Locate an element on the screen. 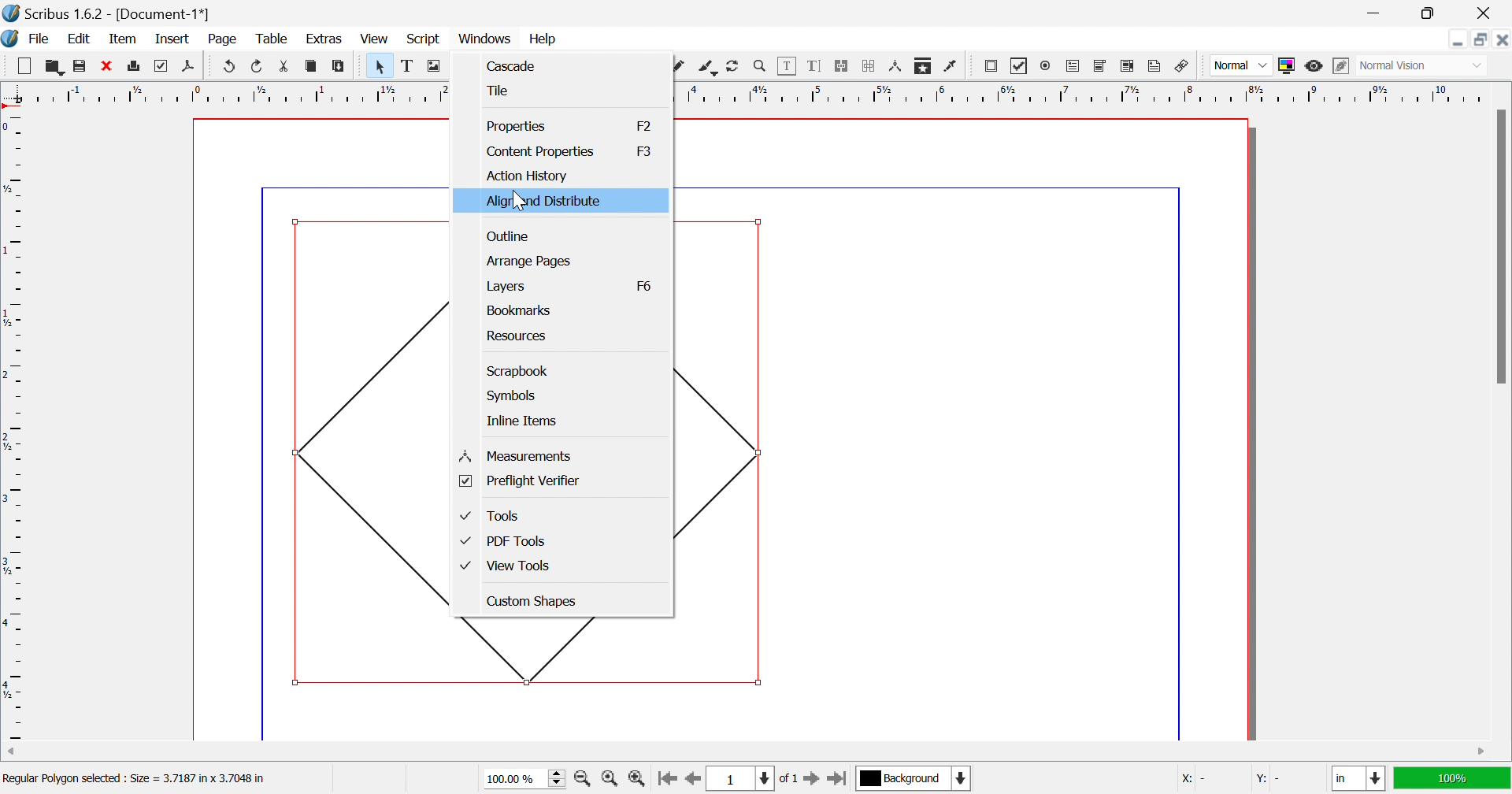  Layers is located at coordinates (506, 287).